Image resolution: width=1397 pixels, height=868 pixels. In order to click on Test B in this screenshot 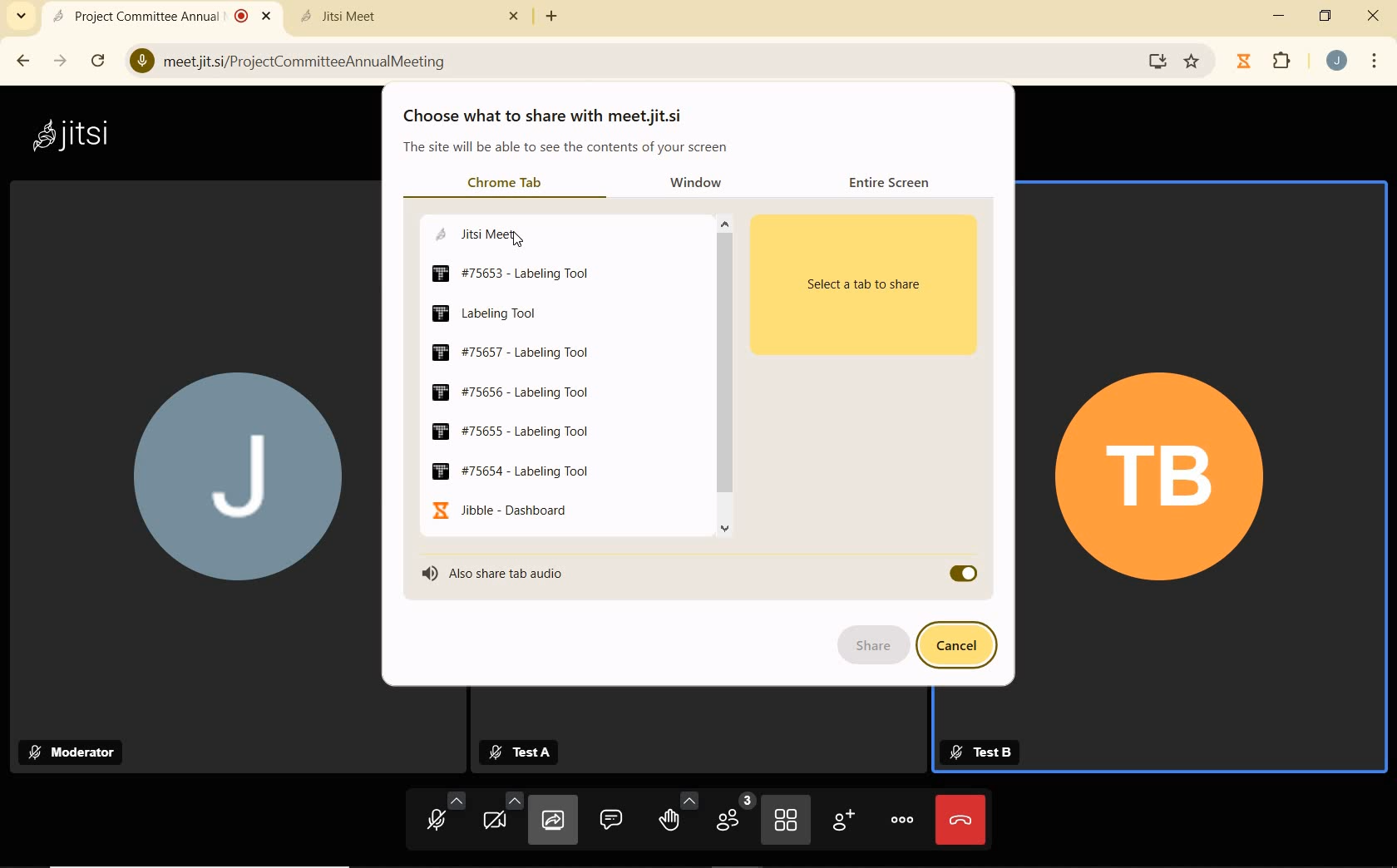, I will do `click(980, 752)`.